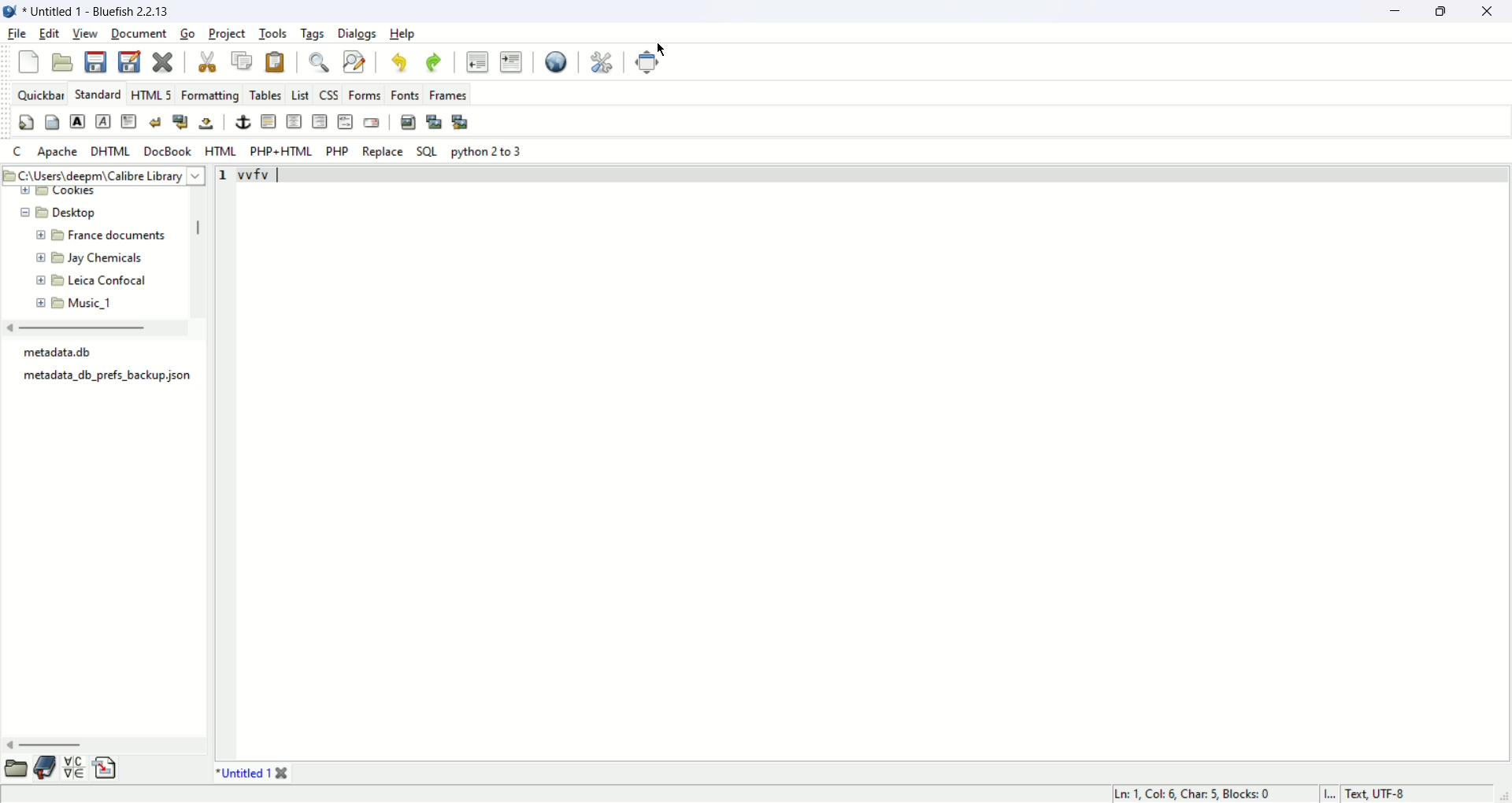 The image size is (1512, 803). I want to click on DHTML, so click(109, 150).